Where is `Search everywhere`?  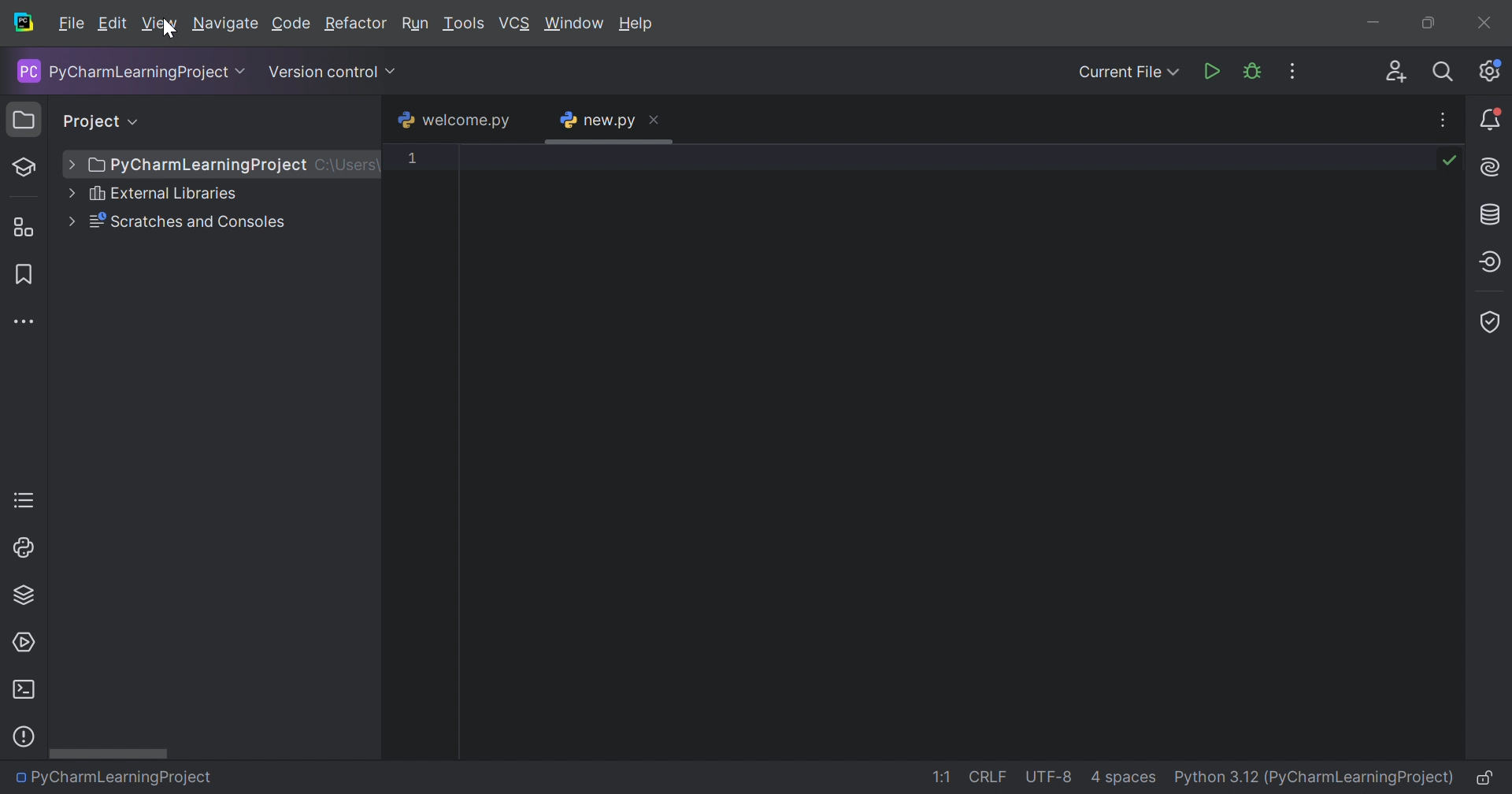
Search everywhere is located at coordinates (1443, 74).